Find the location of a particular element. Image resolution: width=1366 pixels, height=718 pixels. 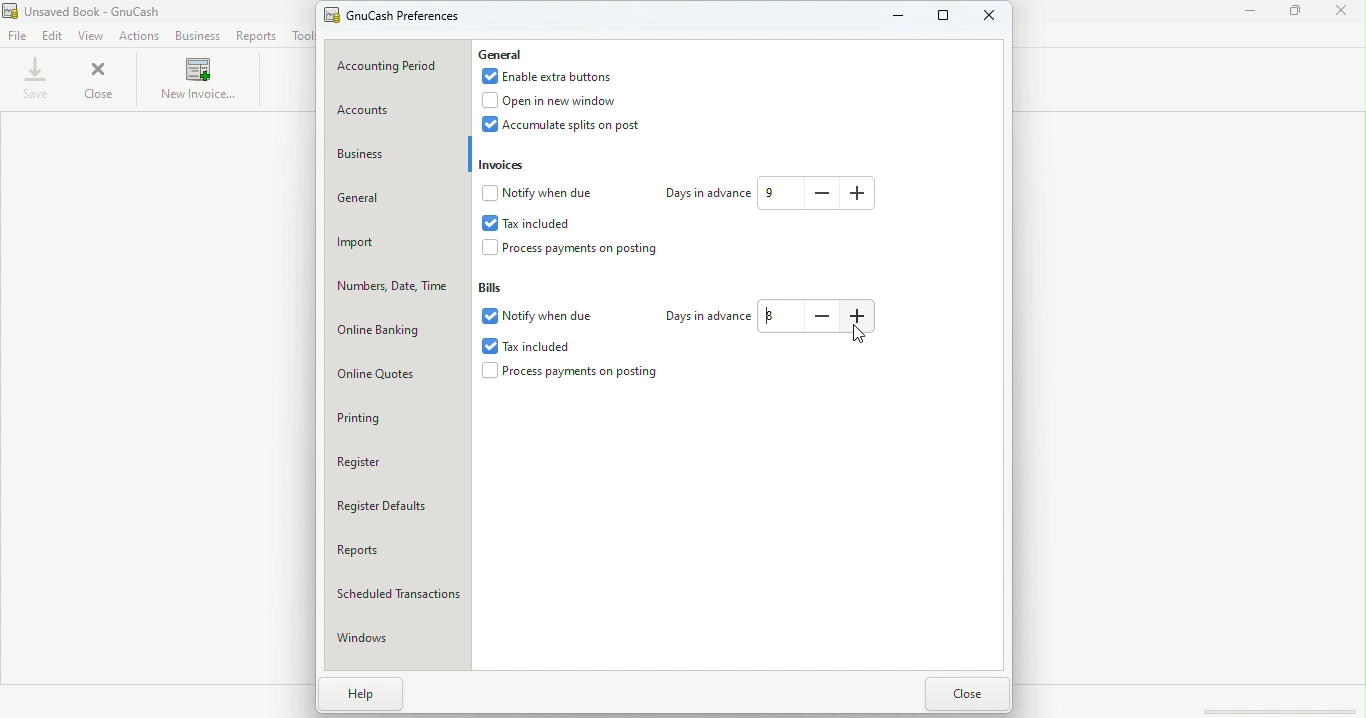

Bills is located at coordinates (498, 289).